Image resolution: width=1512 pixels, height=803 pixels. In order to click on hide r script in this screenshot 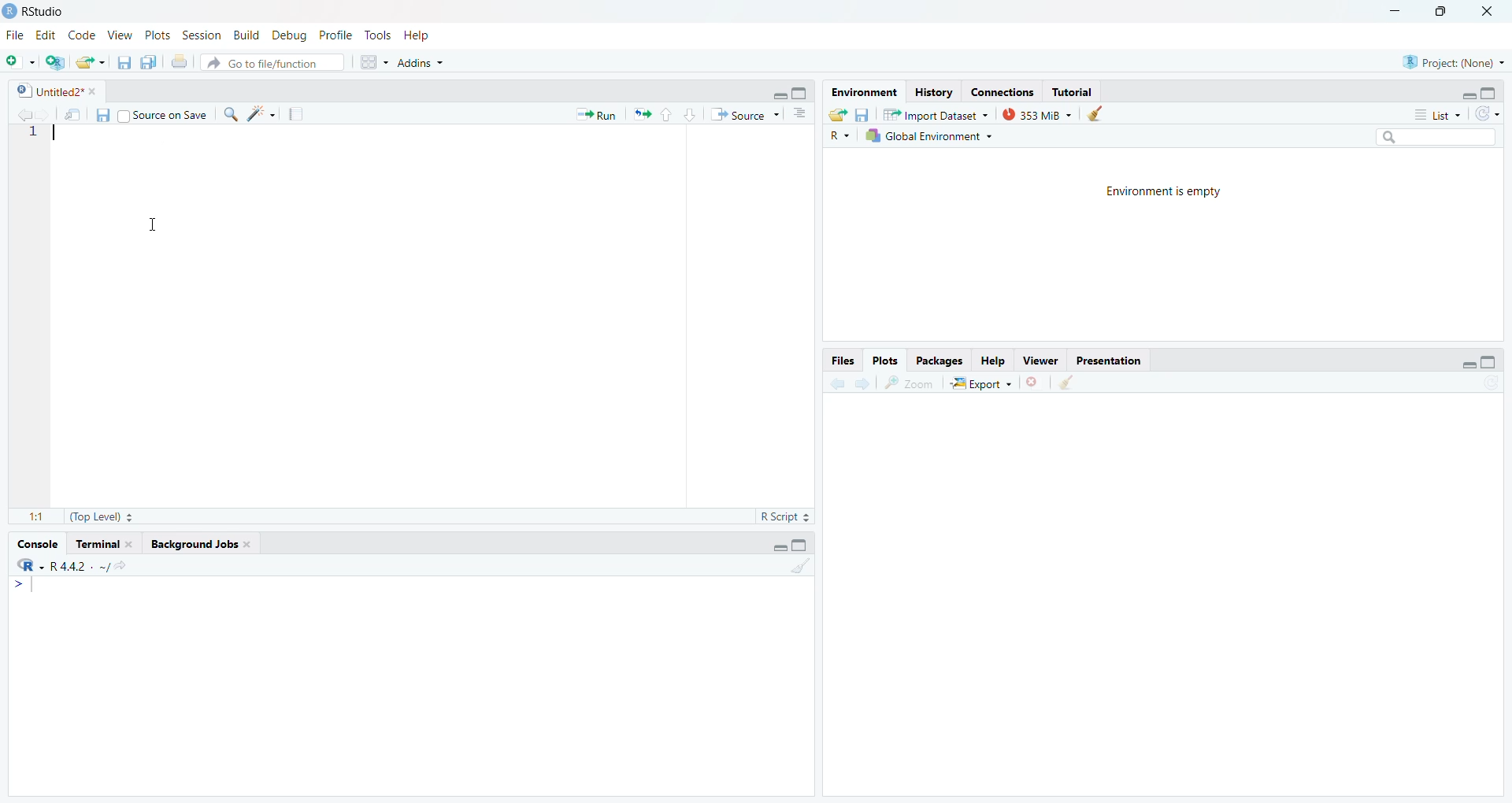, I will do `click(1462, 92)`.